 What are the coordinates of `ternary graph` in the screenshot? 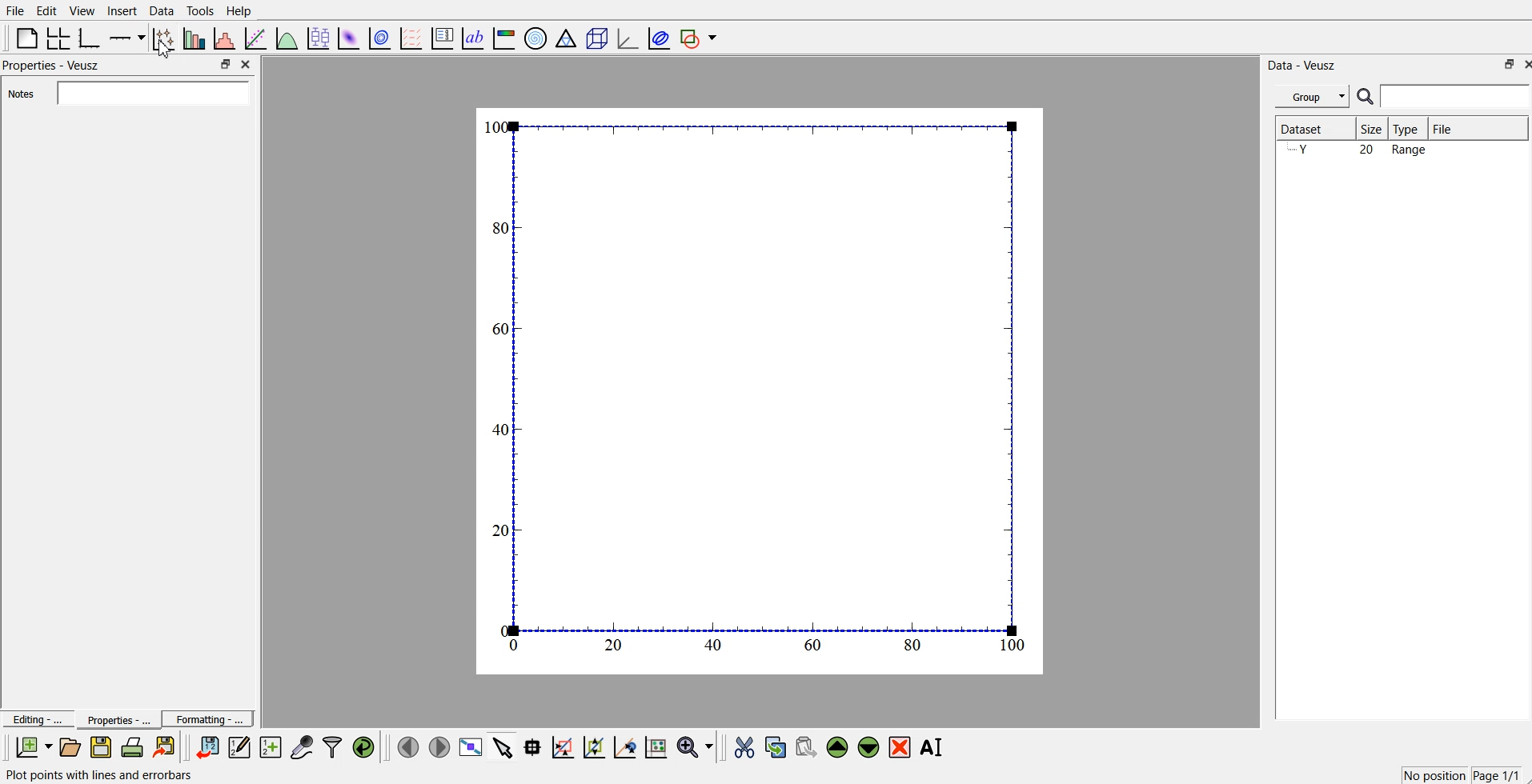 It's located at (567, 37).